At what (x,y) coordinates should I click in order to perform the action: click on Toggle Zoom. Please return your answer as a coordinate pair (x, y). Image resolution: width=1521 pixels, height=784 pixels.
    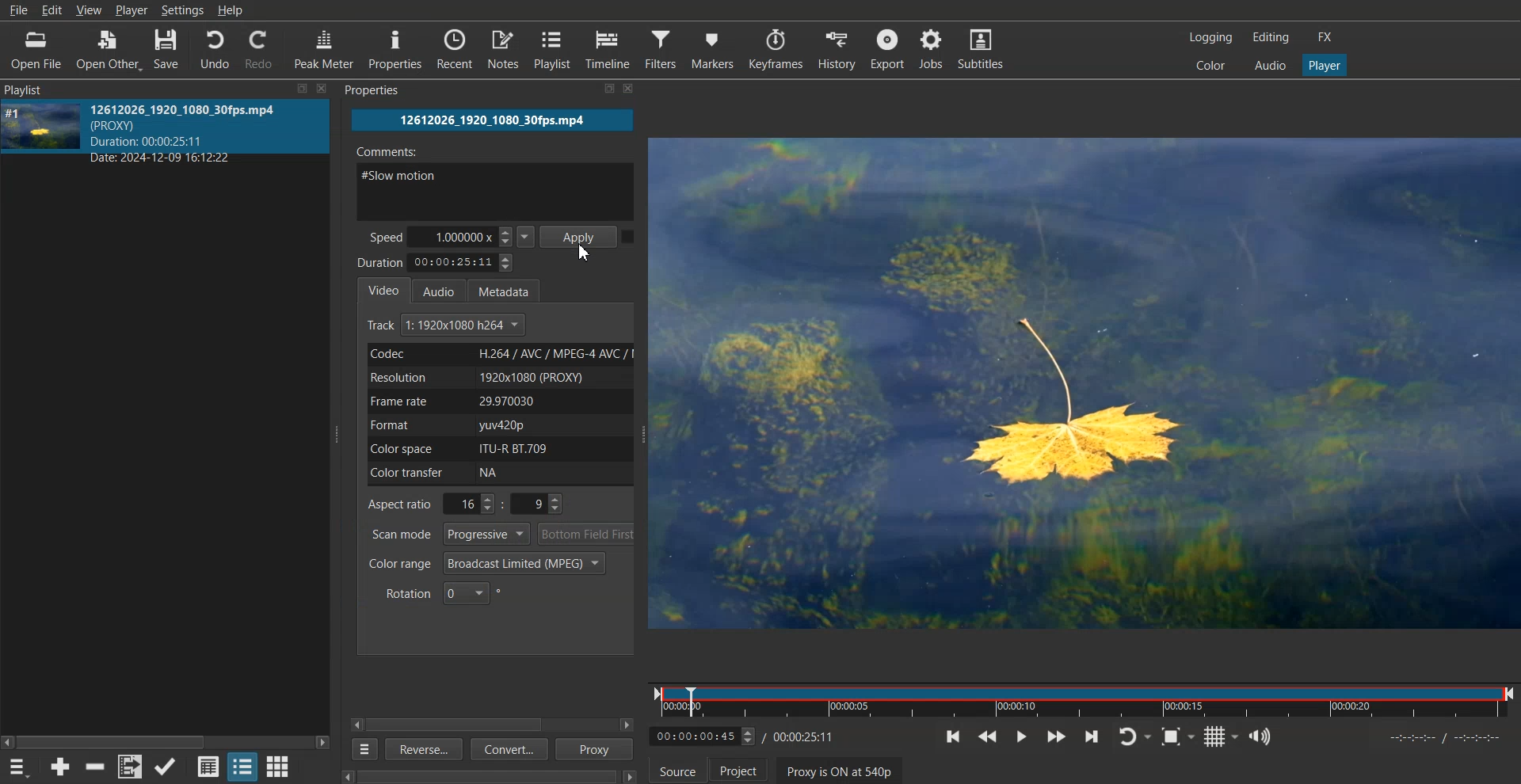
    Looking at the image, I should click on (1178, 736).